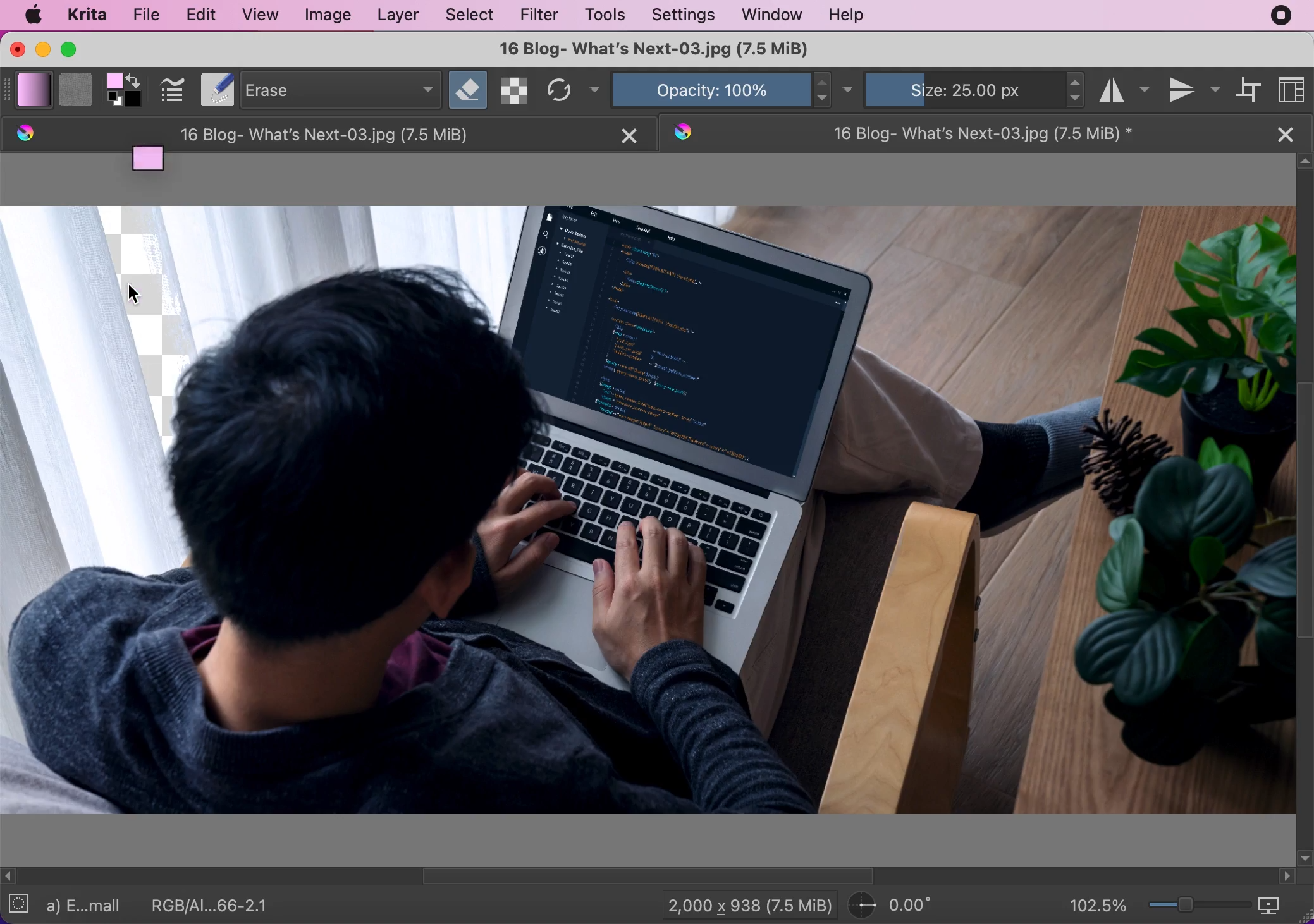 The width and height of the screenshot is (1314, 924). I want to click on 16 Blog- What's Next-03.jpg (7.5 MiB), so click(301, 134).